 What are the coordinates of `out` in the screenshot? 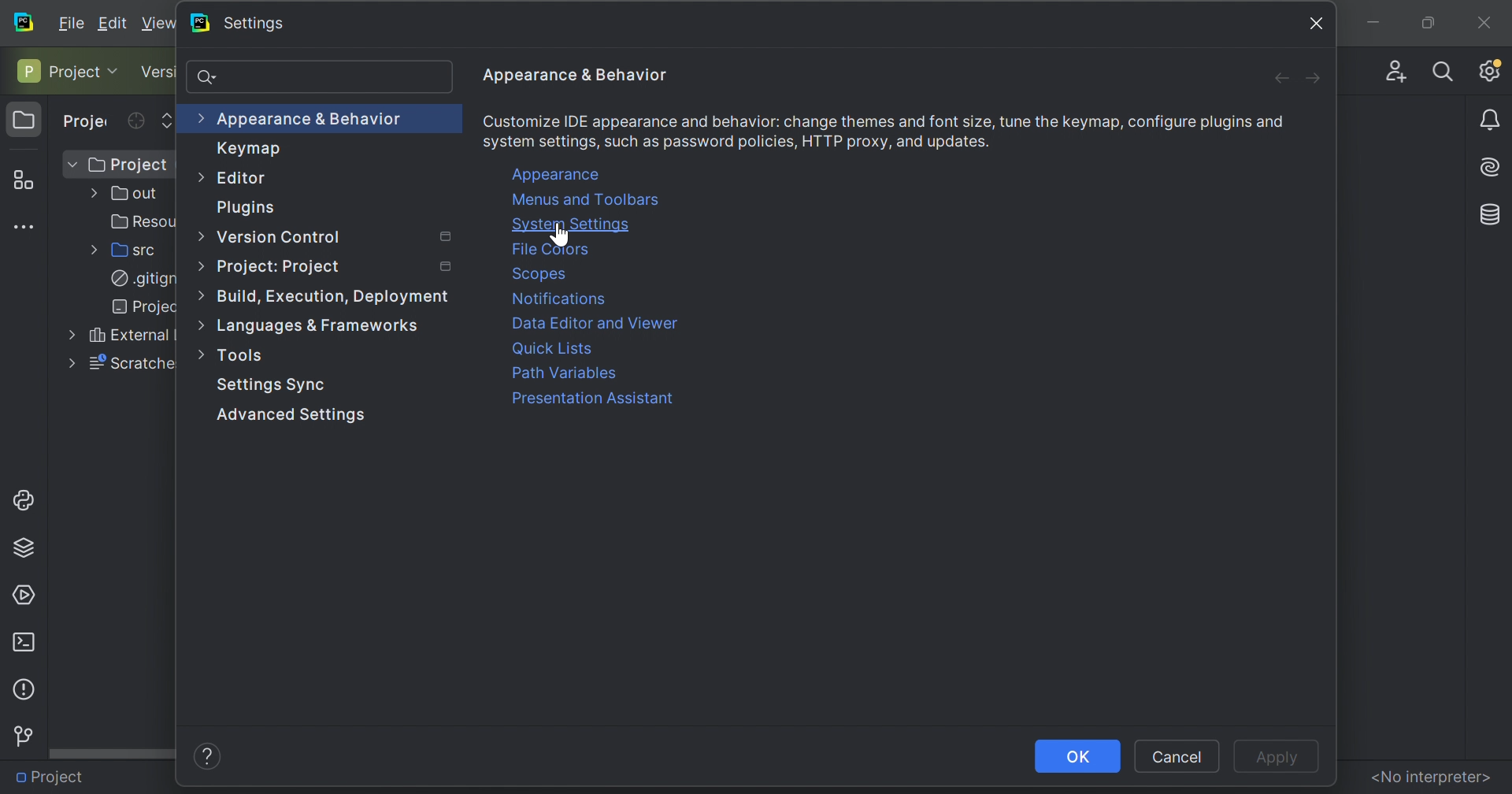 It's located at (130, 194).